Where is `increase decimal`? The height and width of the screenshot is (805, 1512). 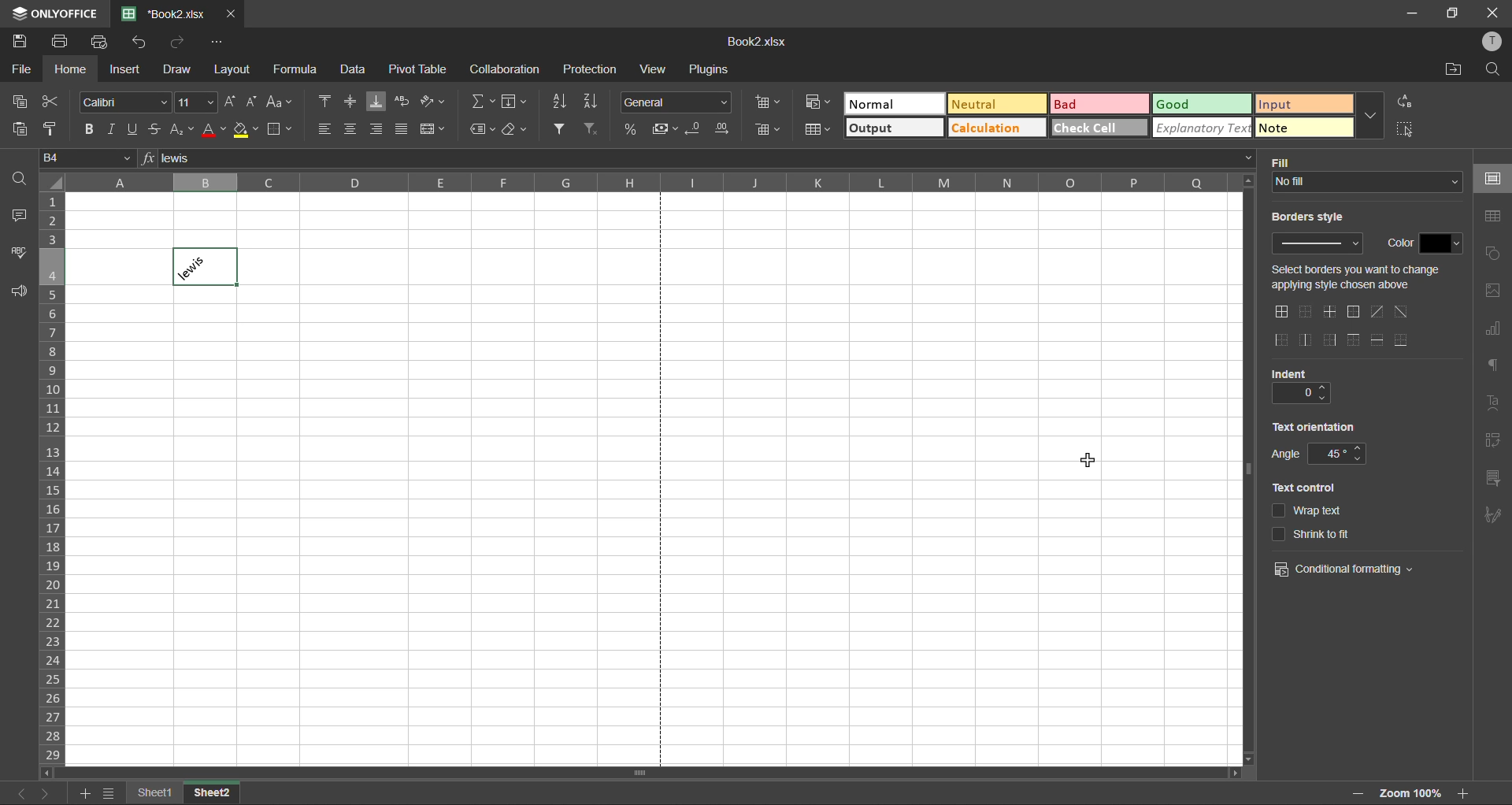 increase decimal is located at coordinates (721, 129).